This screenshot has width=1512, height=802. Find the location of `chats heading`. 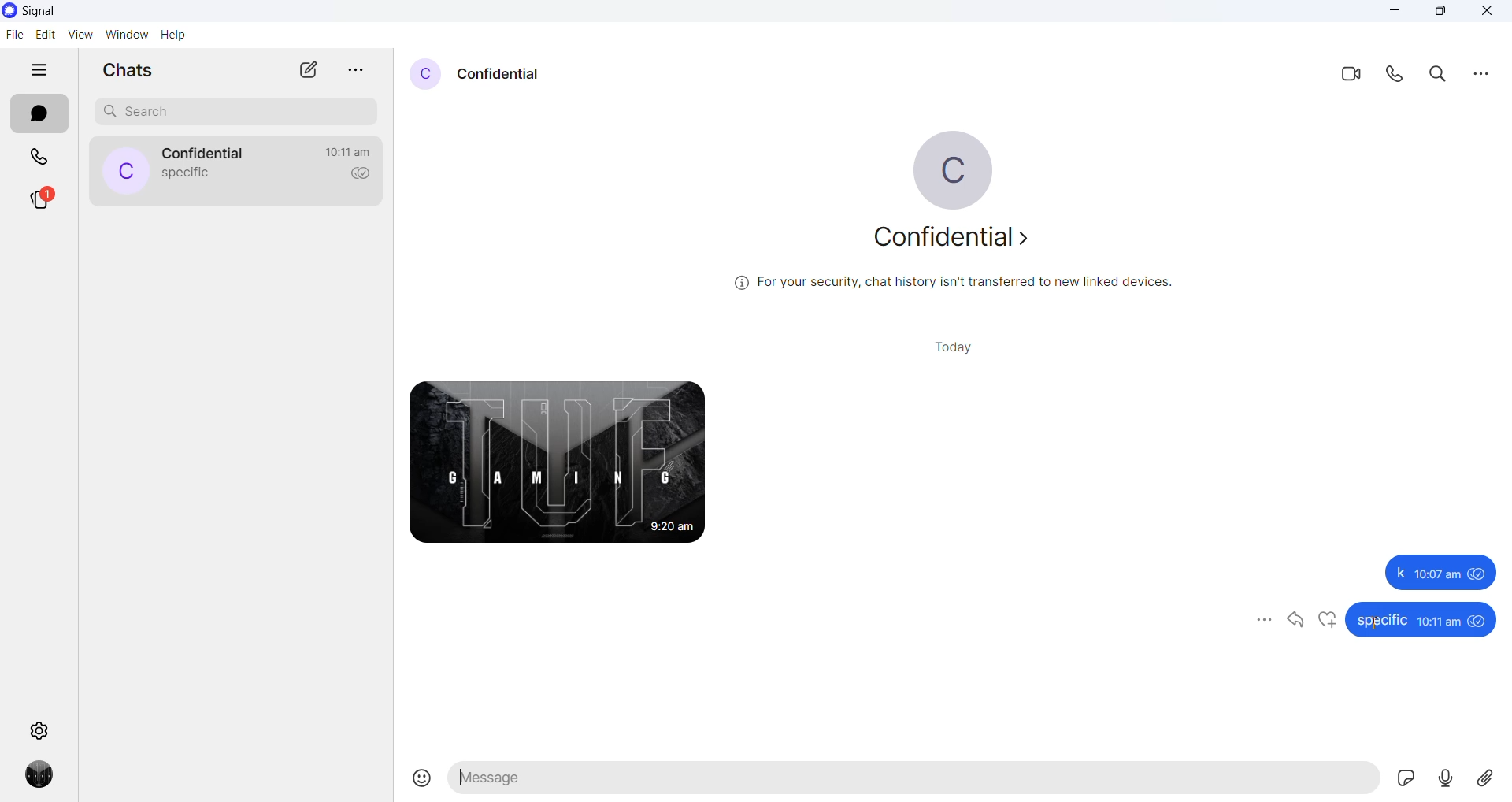

chats heading is located at coordinates (124, 70).